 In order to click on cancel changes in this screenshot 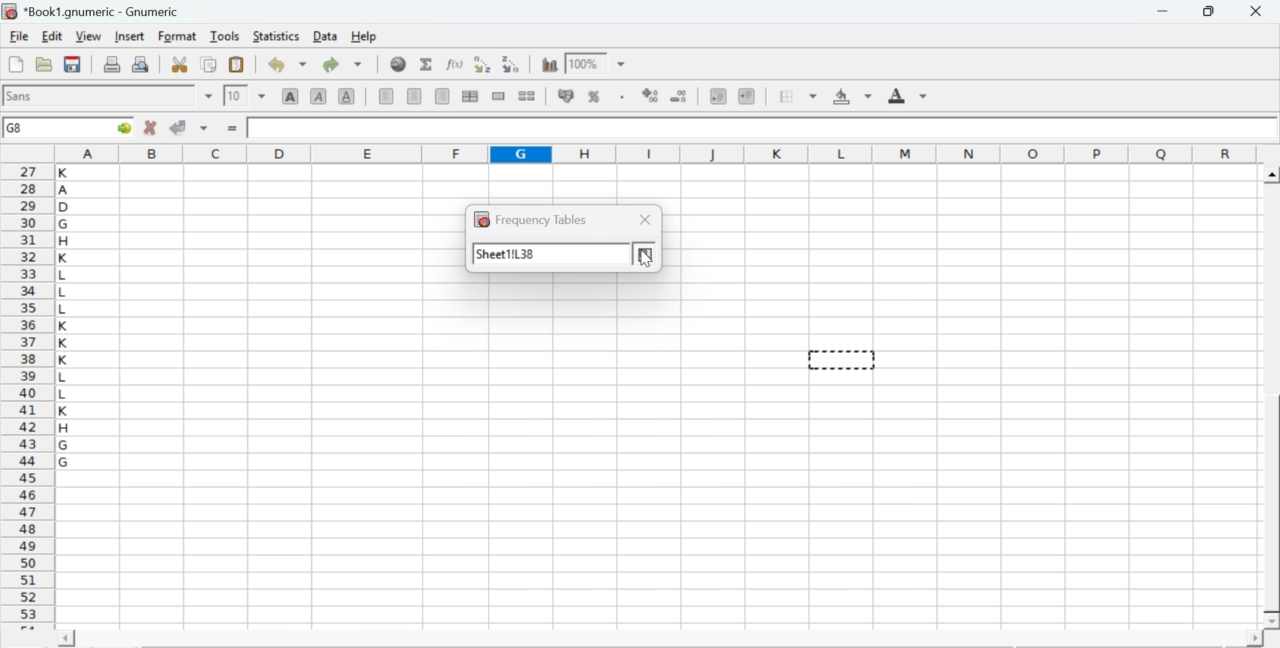, I will do `click(151, 127)`.